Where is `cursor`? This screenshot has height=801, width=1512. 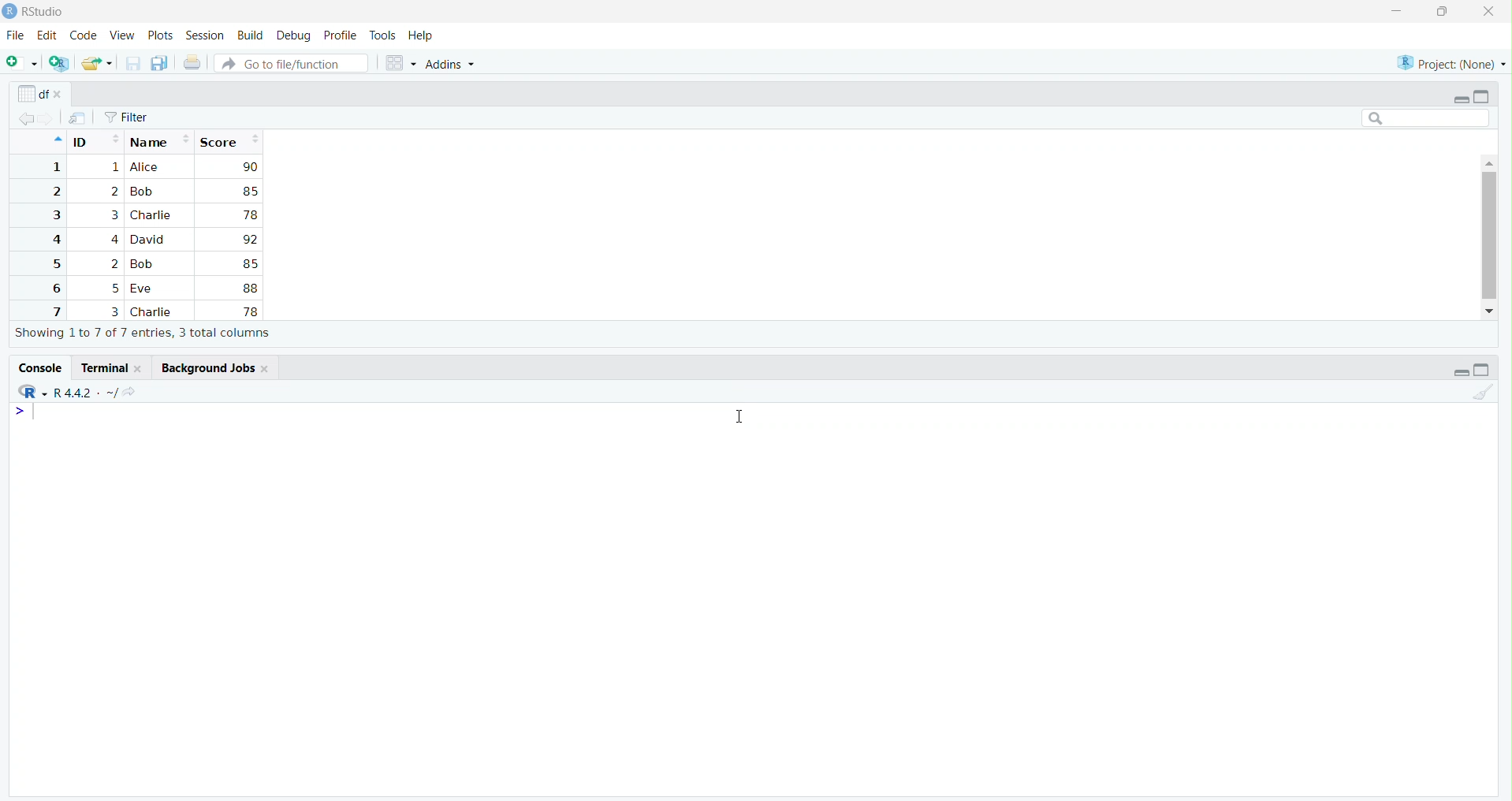
cursor is located at coordinates (736, 418).